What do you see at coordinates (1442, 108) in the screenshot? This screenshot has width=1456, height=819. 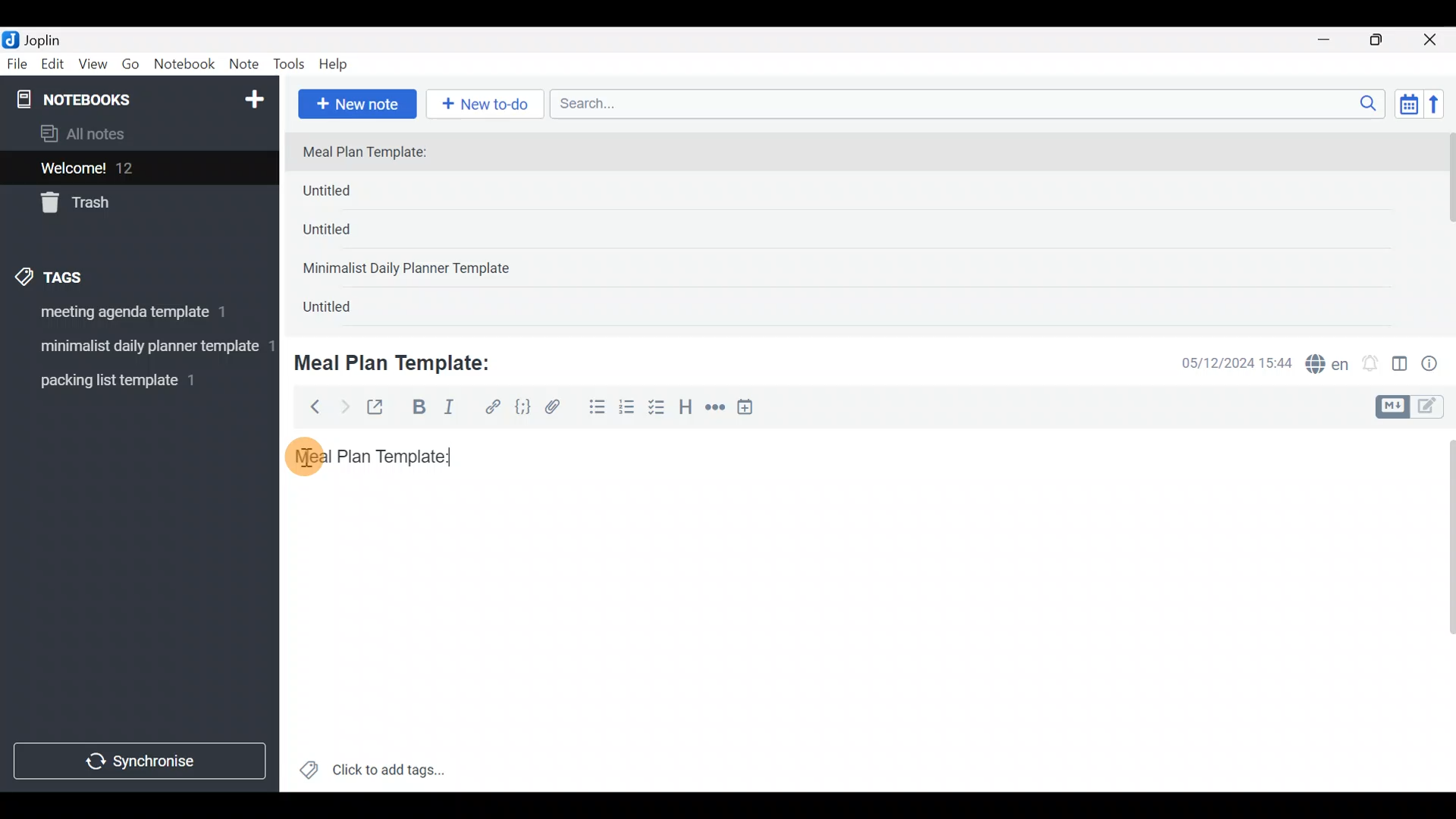 I see `Reverse sort` at bounding box center [1442, 108].